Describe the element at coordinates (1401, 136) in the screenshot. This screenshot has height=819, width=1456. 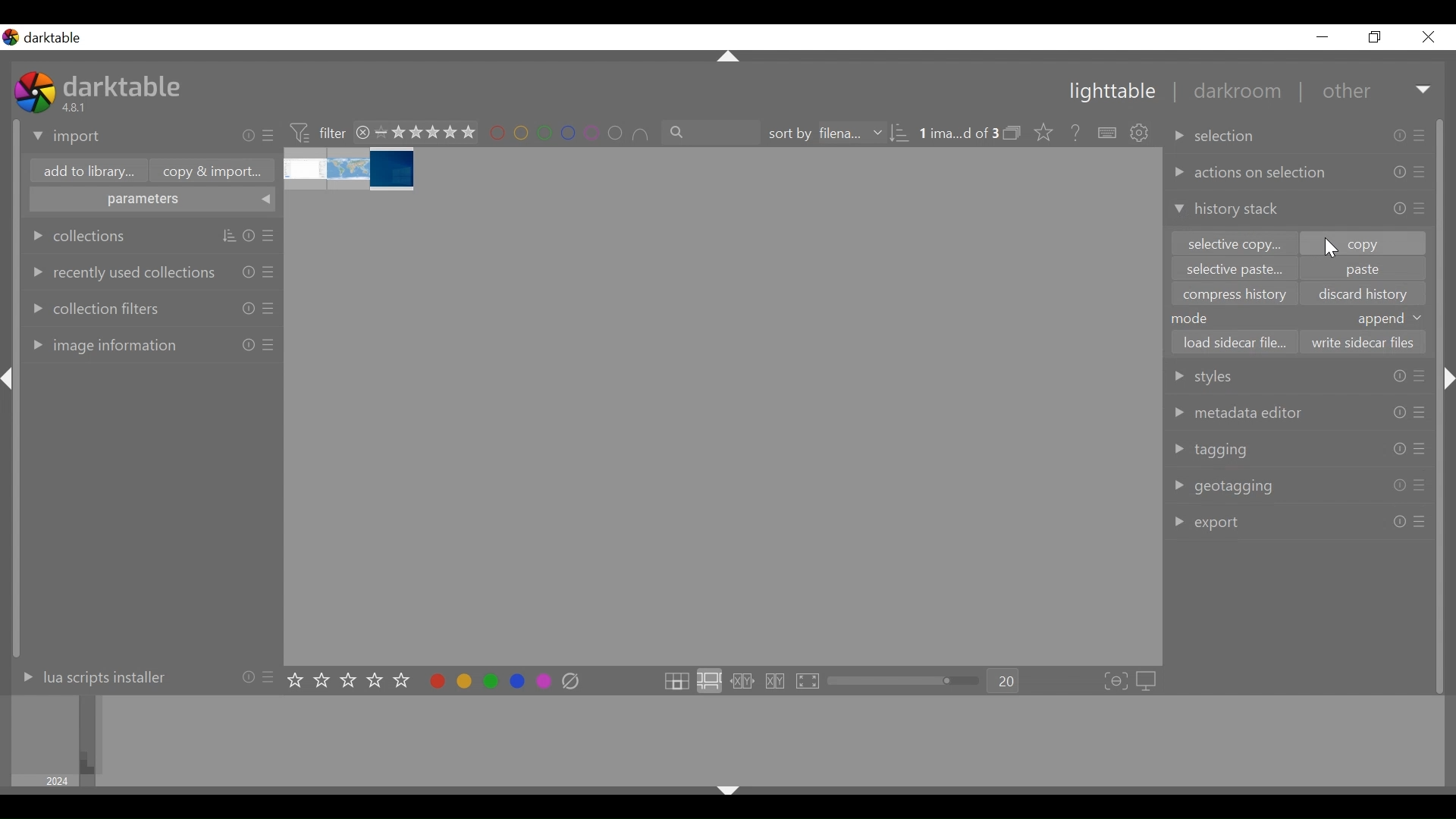
I see `info` at that location.